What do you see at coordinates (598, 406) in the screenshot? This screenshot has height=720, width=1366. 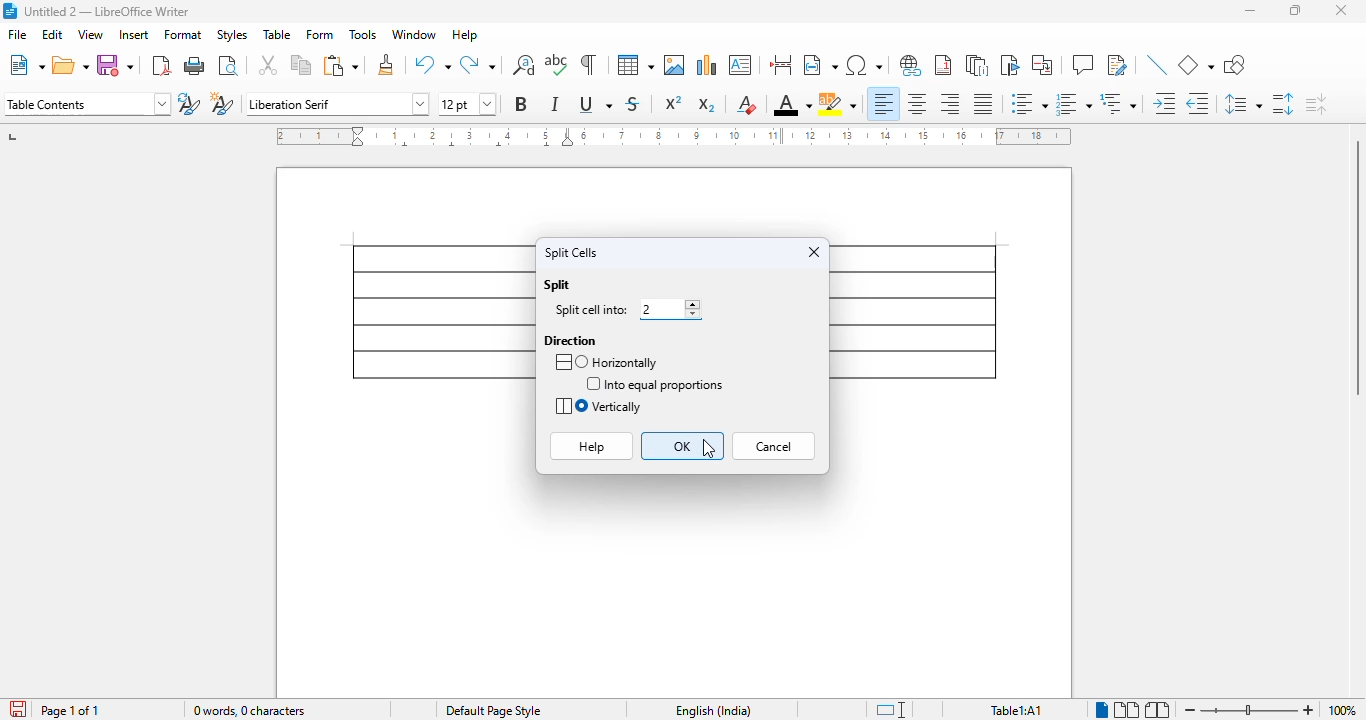 I see `vertically` at bounding box center [598, 406].